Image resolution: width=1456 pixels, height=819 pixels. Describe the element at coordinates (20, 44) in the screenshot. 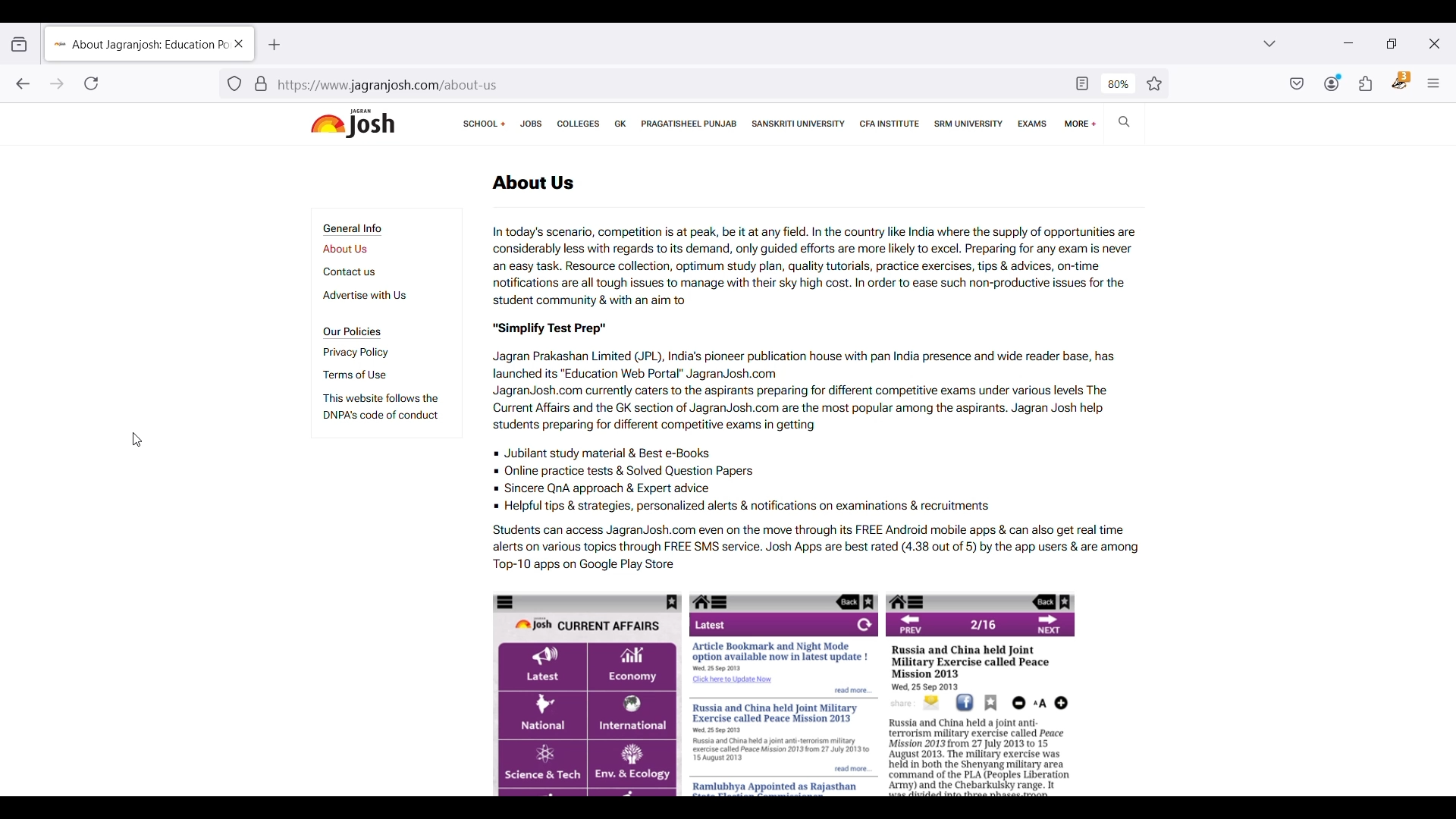

I see `View recent browsing across windows and devices` at that location.